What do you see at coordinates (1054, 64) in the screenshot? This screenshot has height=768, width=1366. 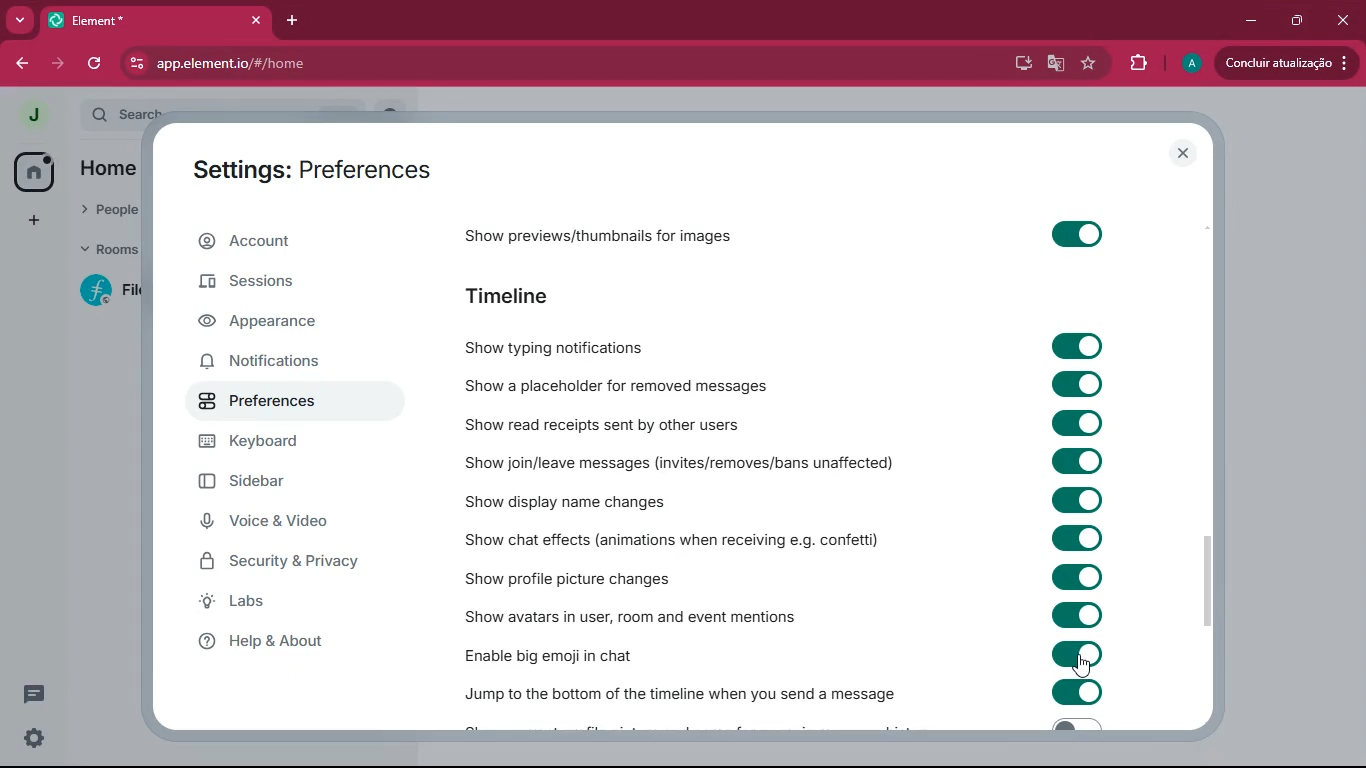 I see `google translate` at bounding box center [1054, 64].